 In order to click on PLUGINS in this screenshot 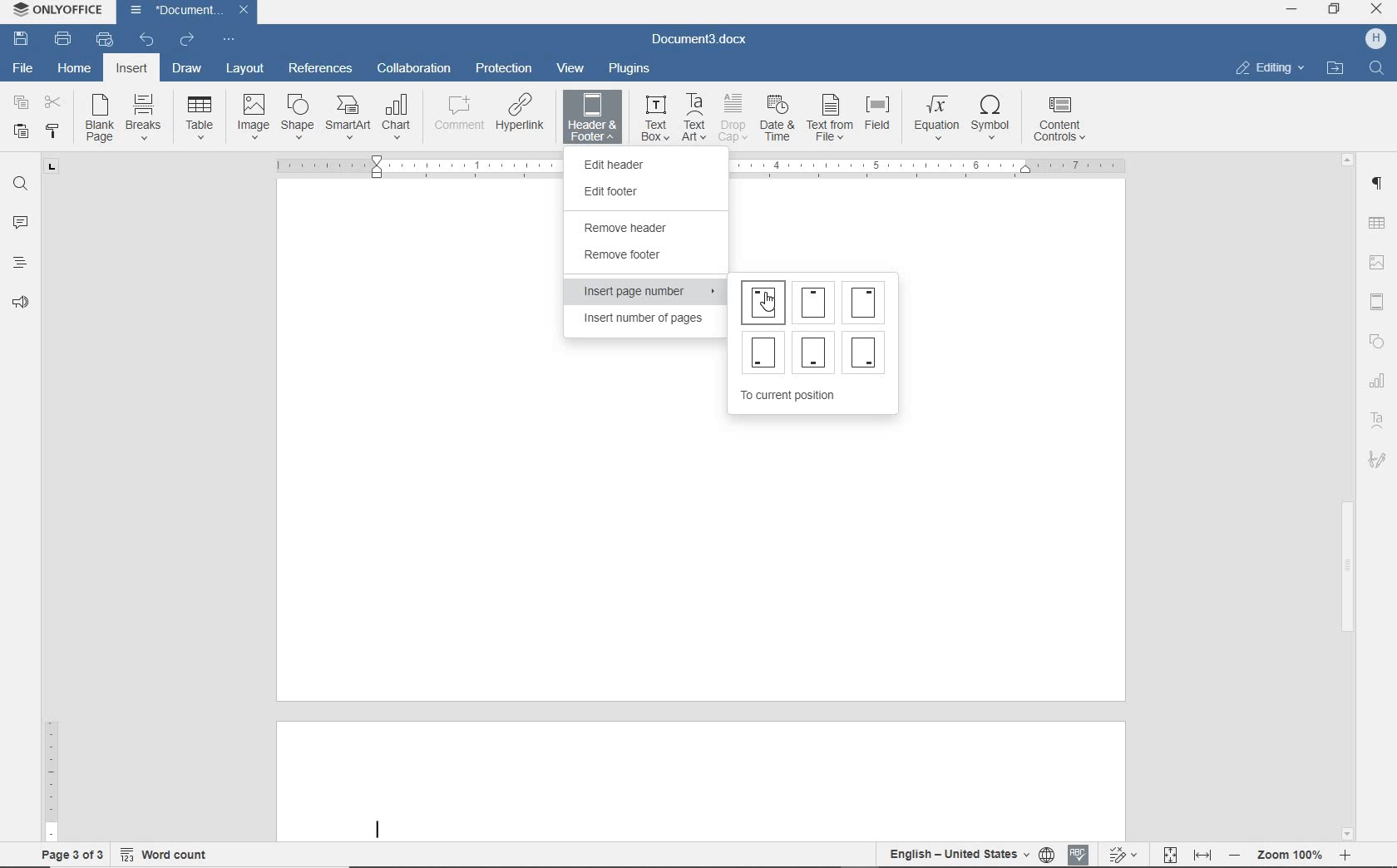, I will do `click(630, 69)`.